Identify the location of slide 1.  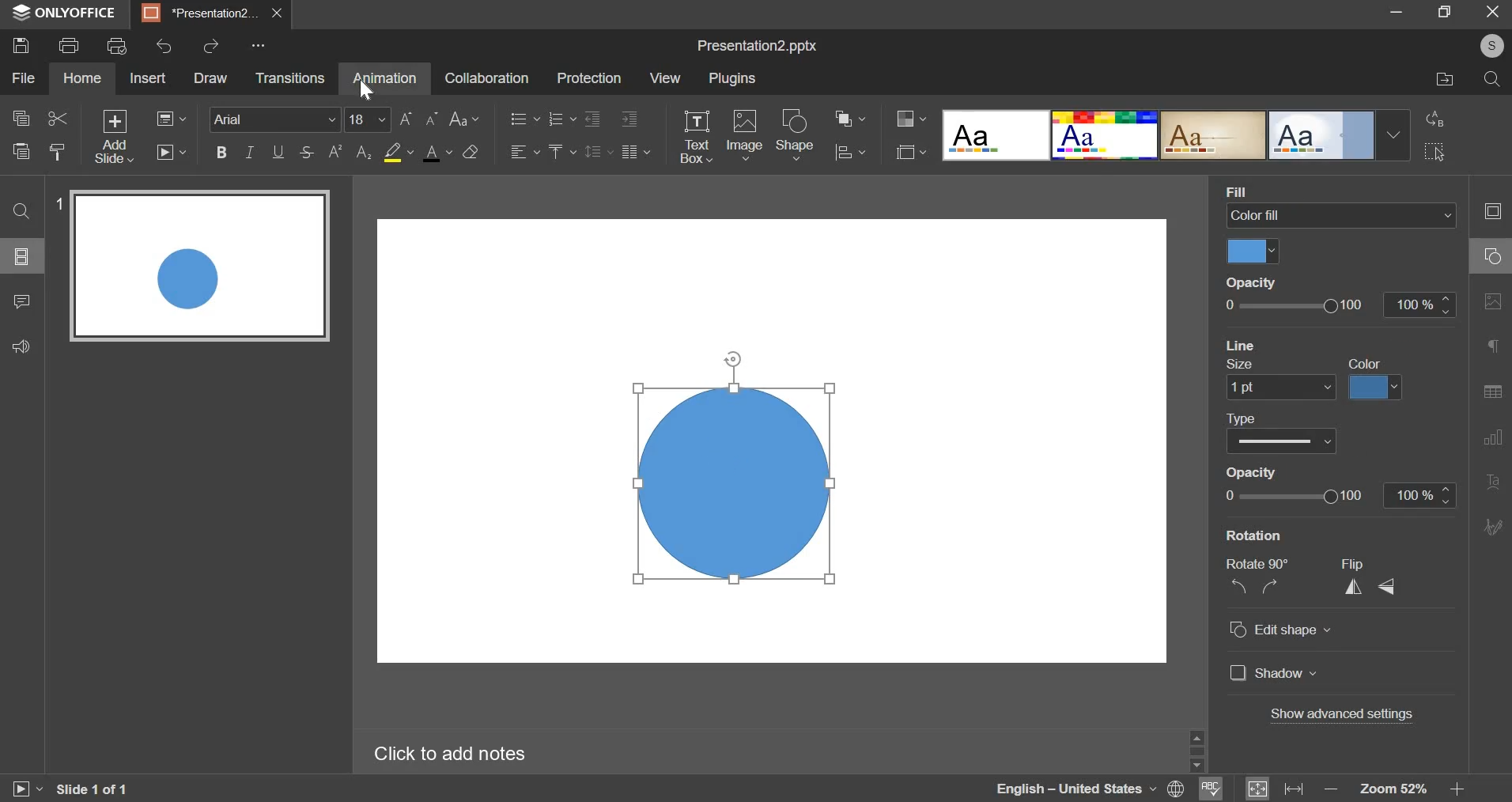
(207, 271).